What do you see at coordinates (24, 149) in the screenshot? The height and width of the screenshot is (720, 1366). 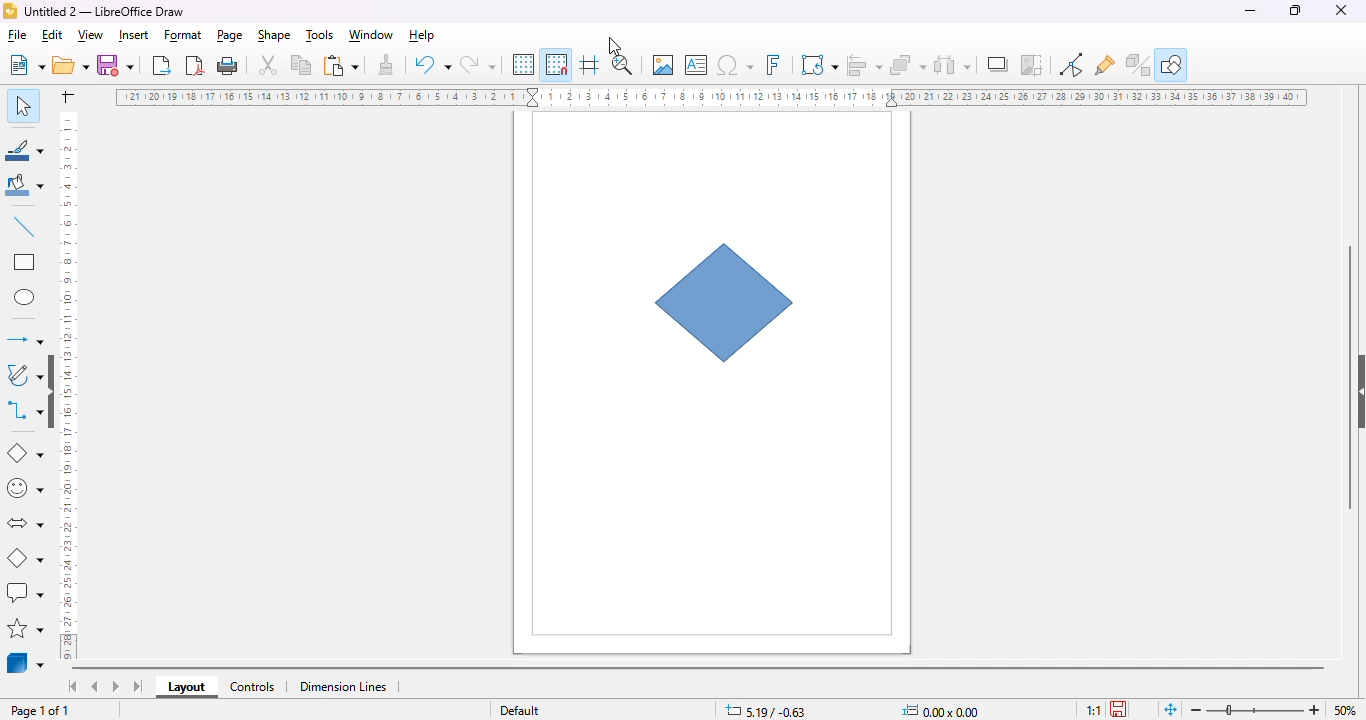 I see `line color` at bounding box center [24, 149].